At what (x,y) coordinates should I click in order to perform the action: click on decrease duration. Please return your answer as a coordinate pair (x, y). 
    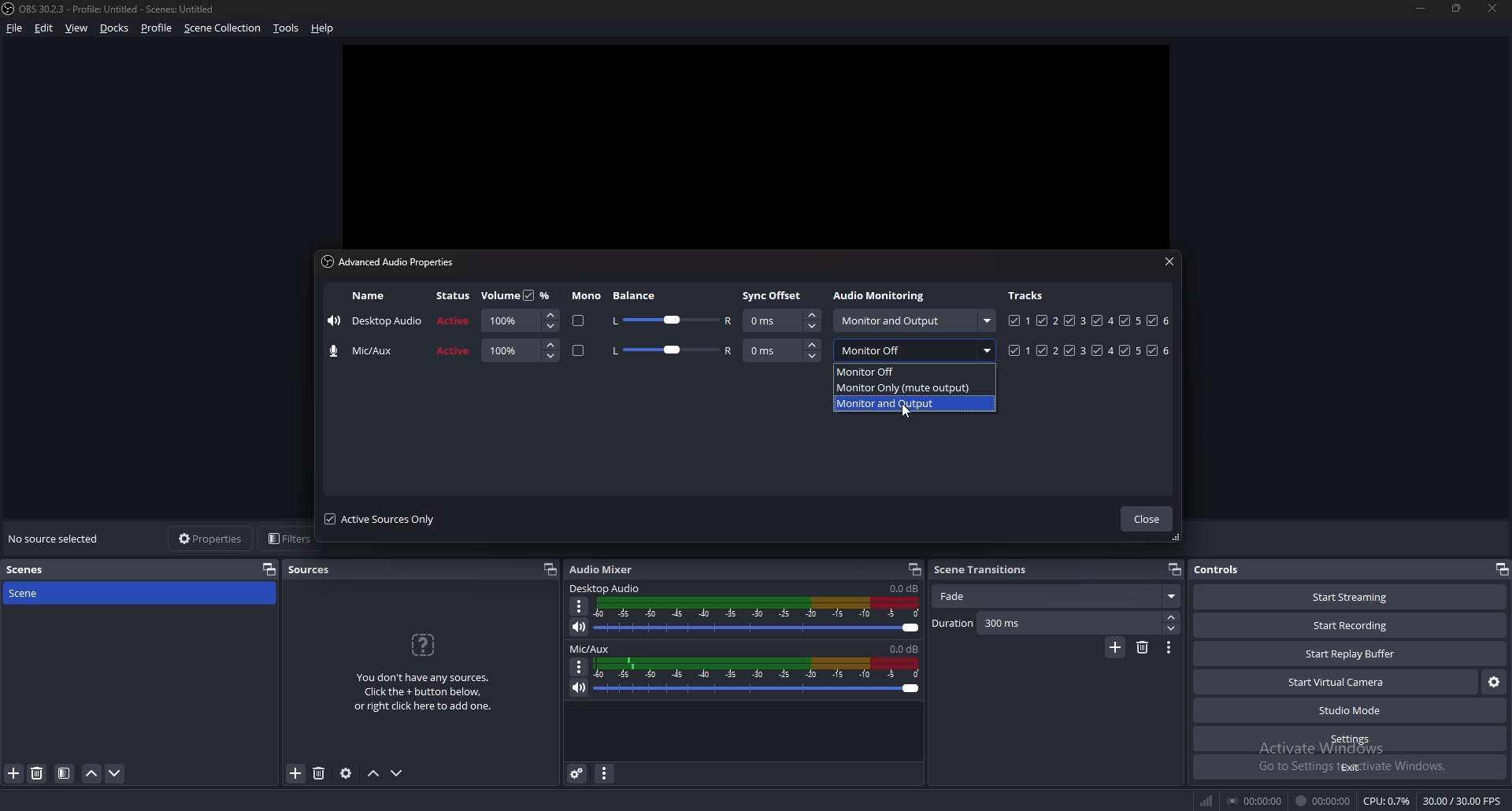
    Looking at the image, I should click on (1173, 628).